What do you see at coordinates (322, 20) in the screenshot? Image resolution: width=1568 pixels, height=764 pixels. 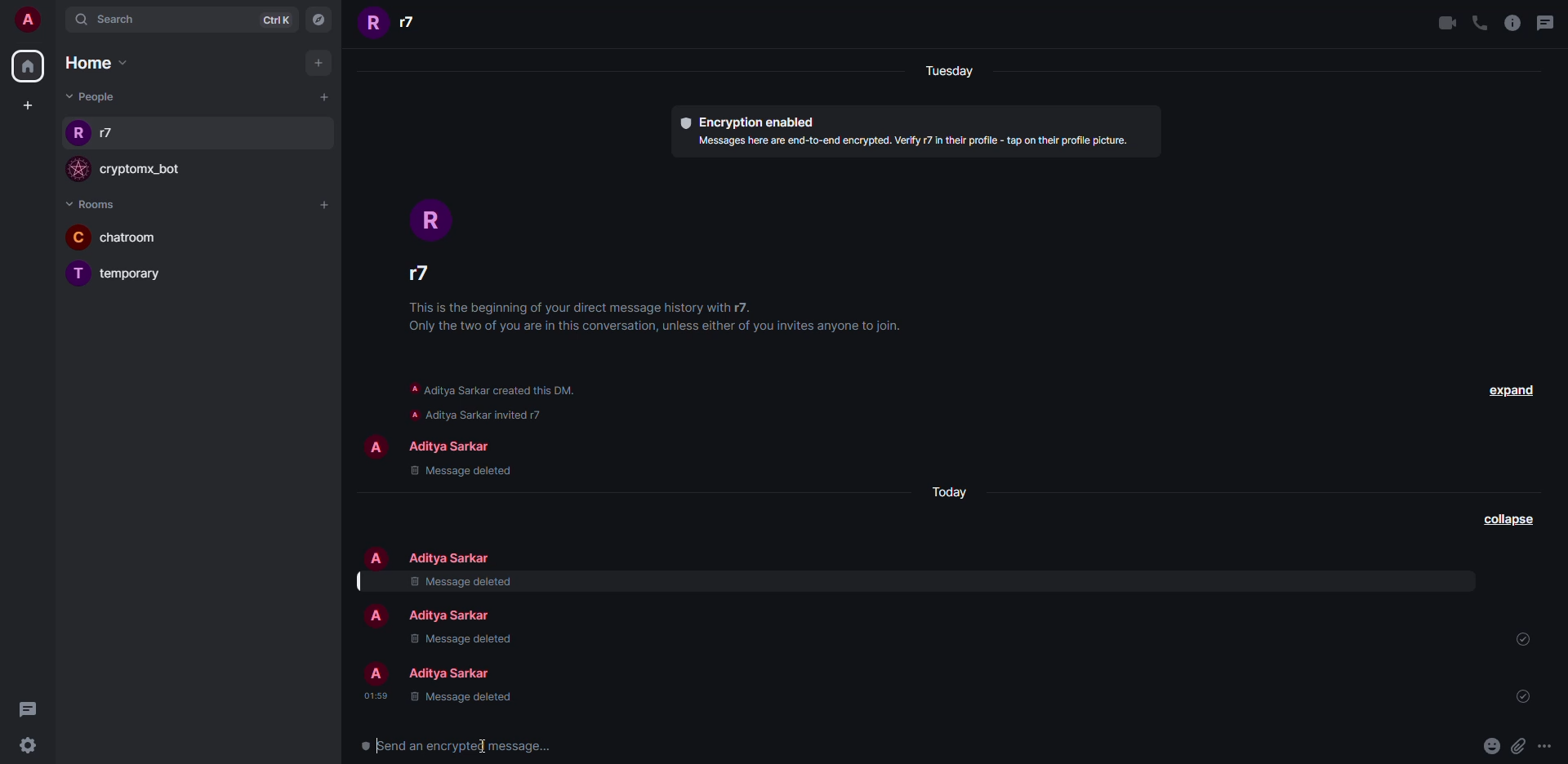 I see `navigator` at bounding box center [322, 20].